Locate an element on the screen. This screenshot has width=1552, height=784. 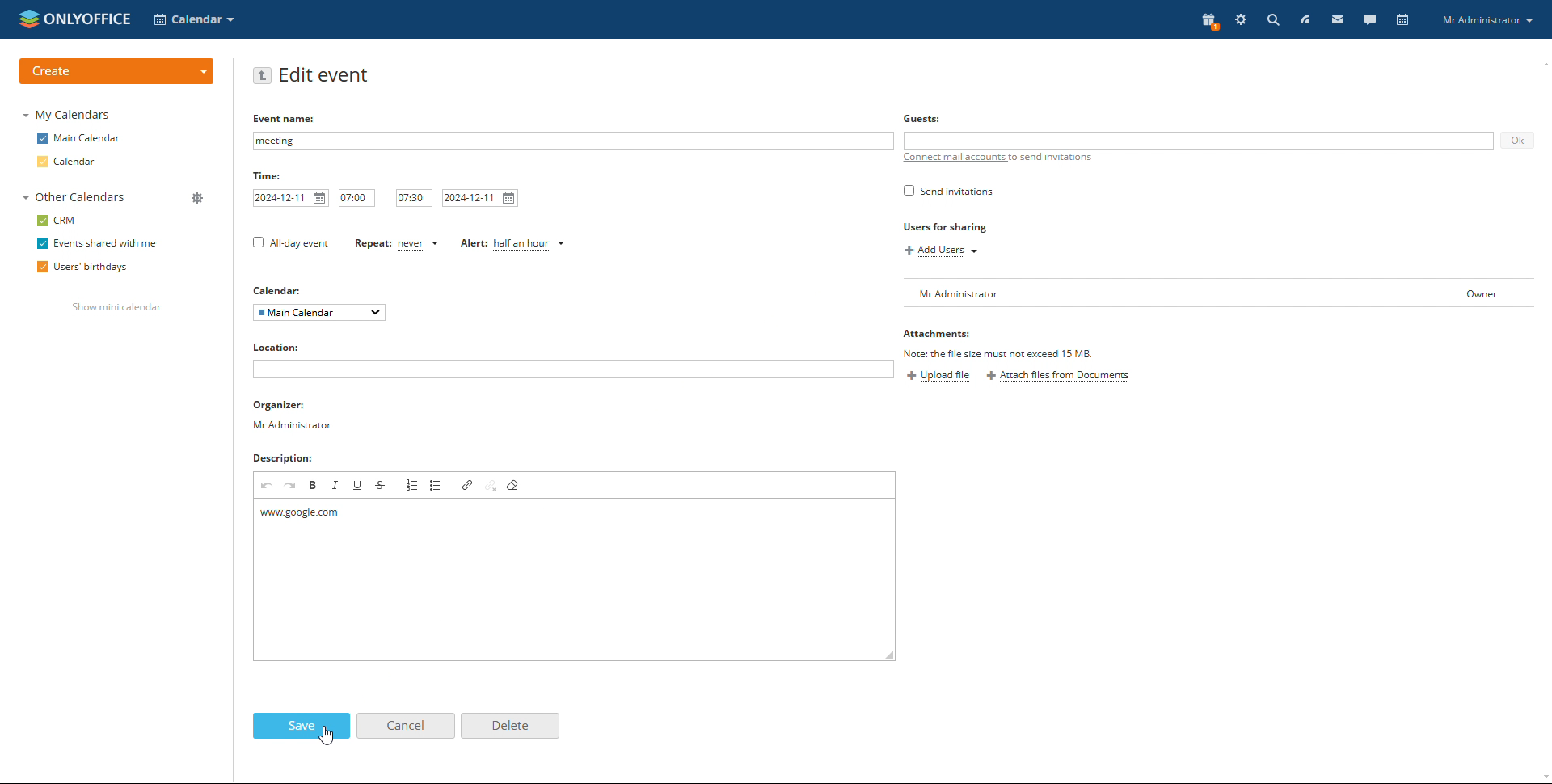
insert/remove bulleted list is located at coordinates (437, 485).